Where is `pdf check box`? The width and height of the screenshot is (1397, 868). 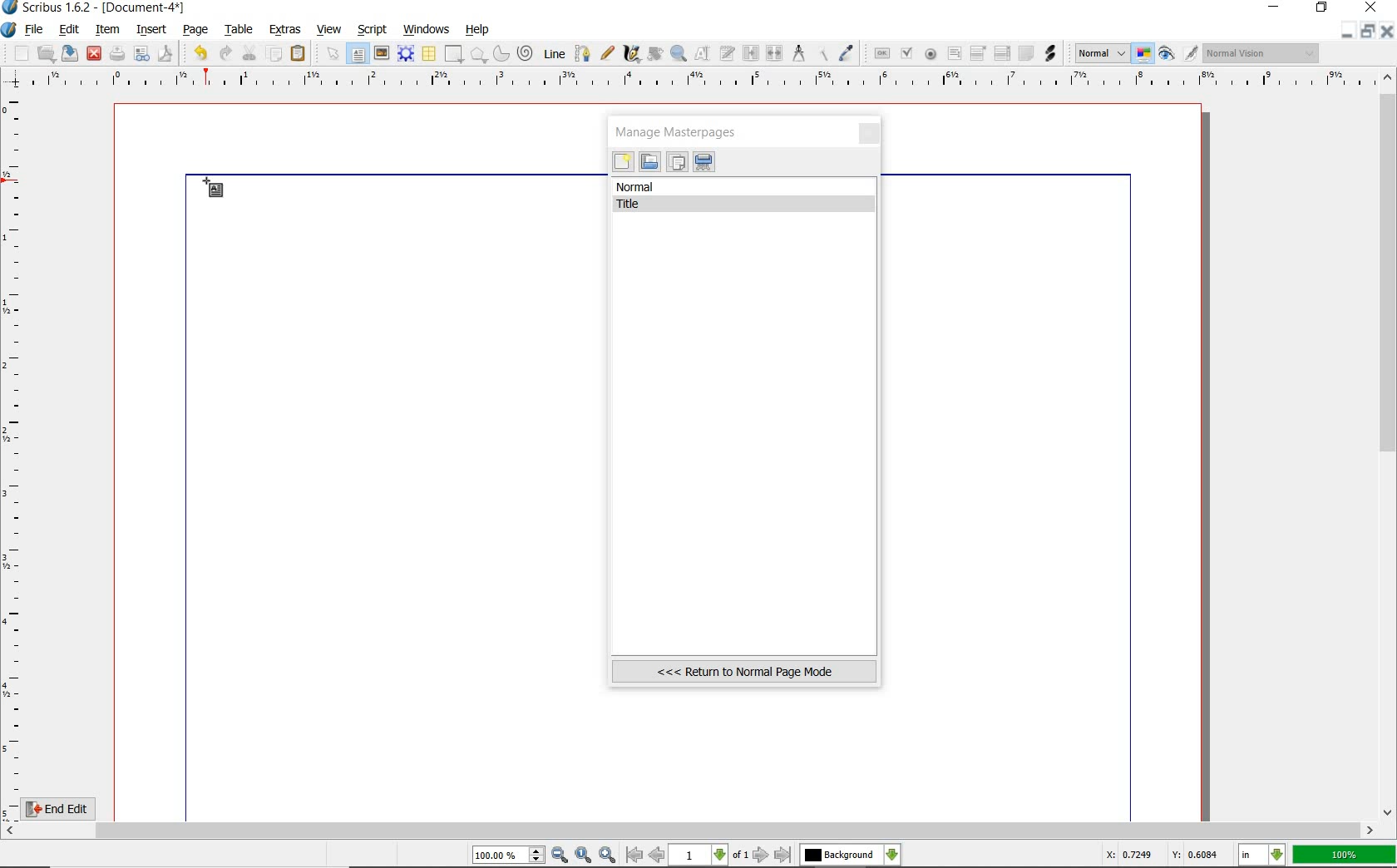 pdf check box is located at coordinates (906, 53).